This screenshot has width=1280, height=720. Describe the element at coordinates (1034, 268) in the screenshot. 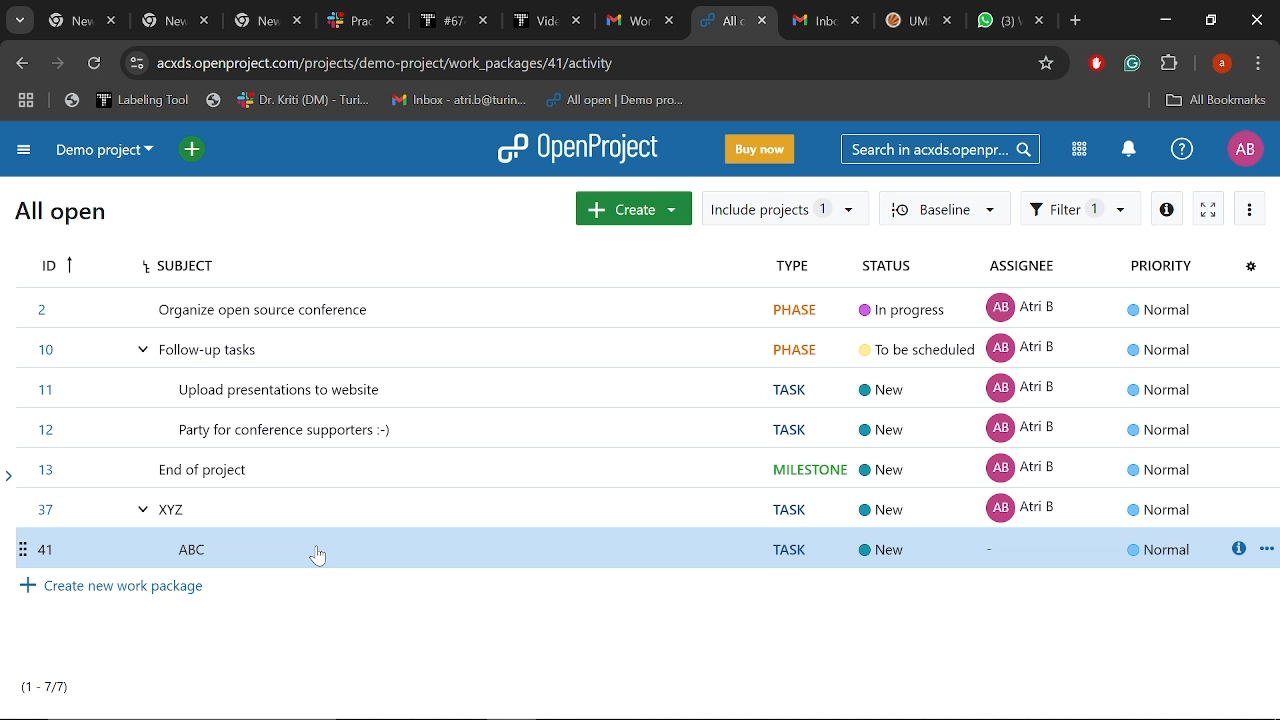

I see `Assignee` at that location.